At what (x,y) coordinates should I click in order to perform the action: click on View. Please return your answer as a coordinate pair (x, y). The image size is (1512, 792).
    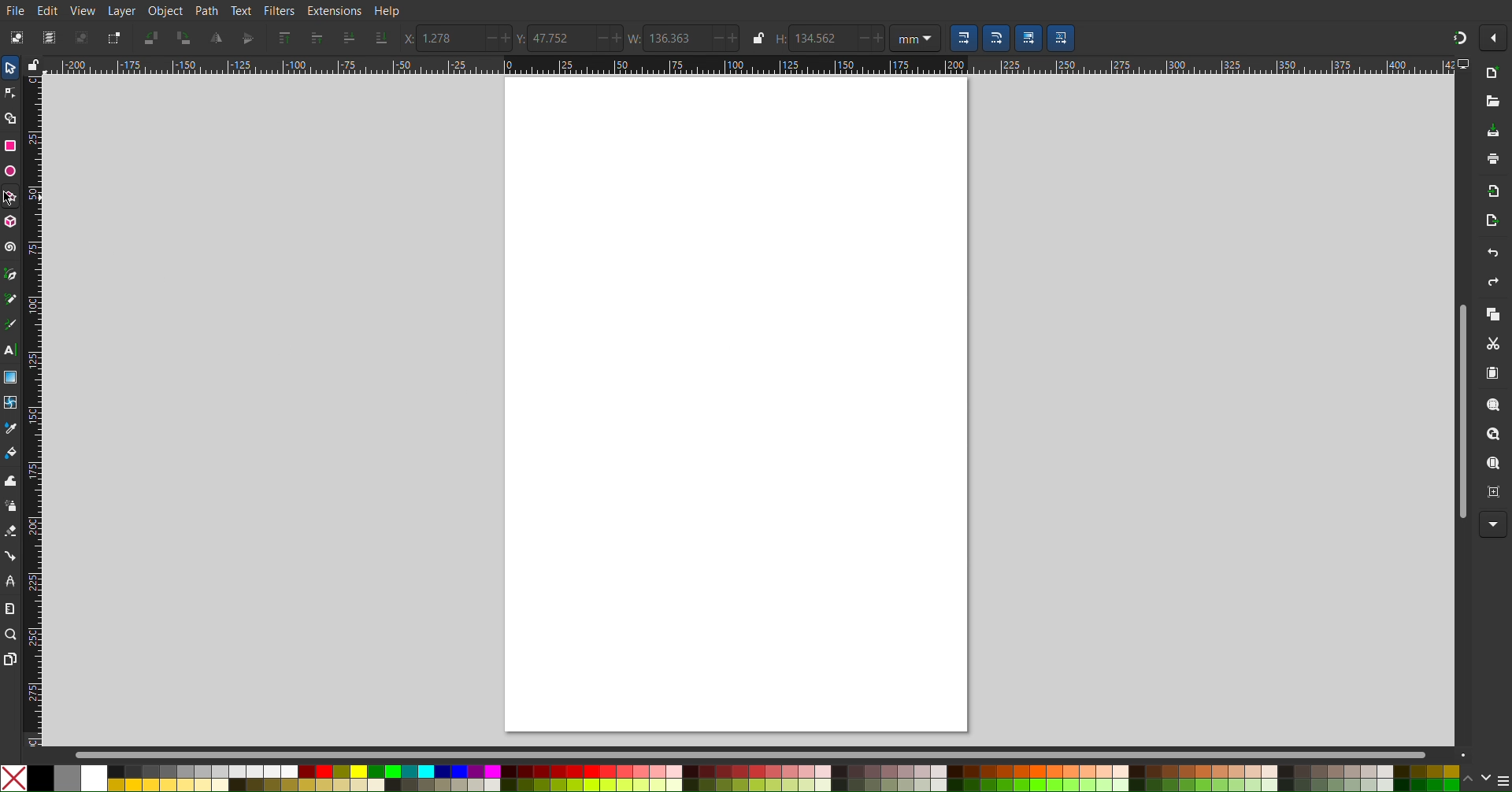
    Looking at the image, I should click on (83, 11).